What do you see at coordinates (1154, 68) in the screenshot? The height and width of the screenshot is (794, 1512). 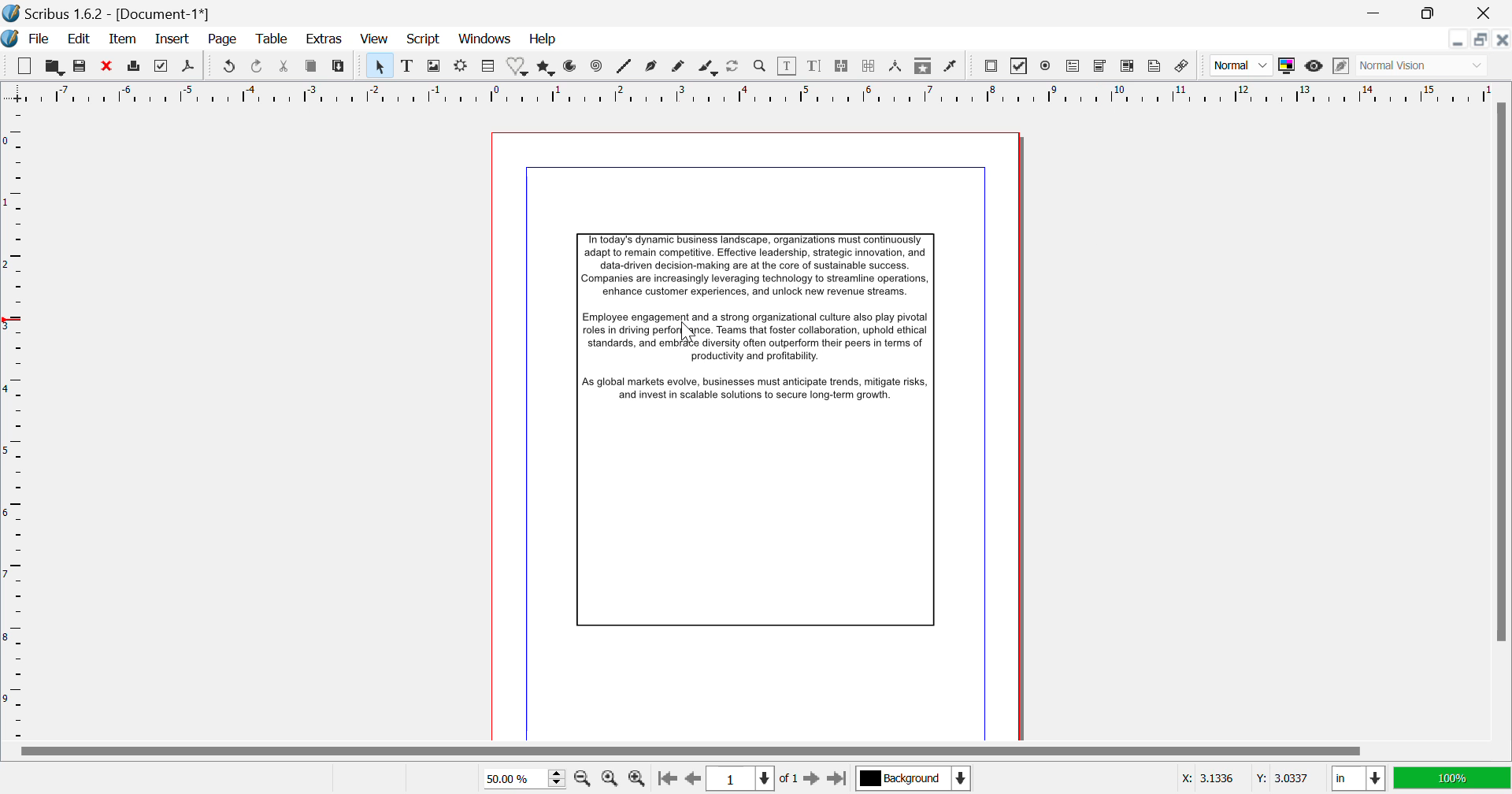 I see `Text Annotation` at bounding box center [1154, 68].